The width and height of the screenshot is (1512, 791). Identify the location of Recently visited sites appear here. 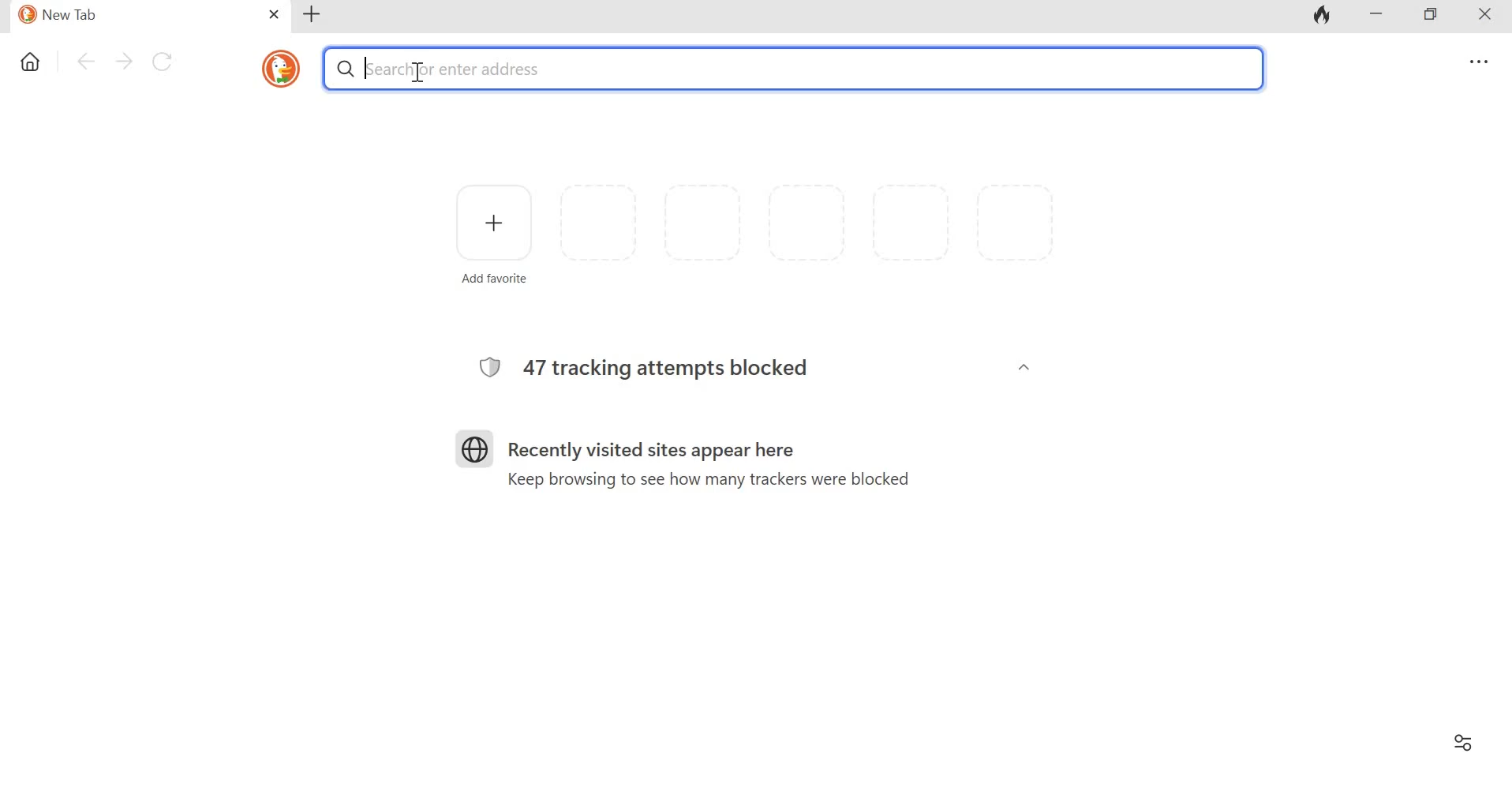
(659, 452).